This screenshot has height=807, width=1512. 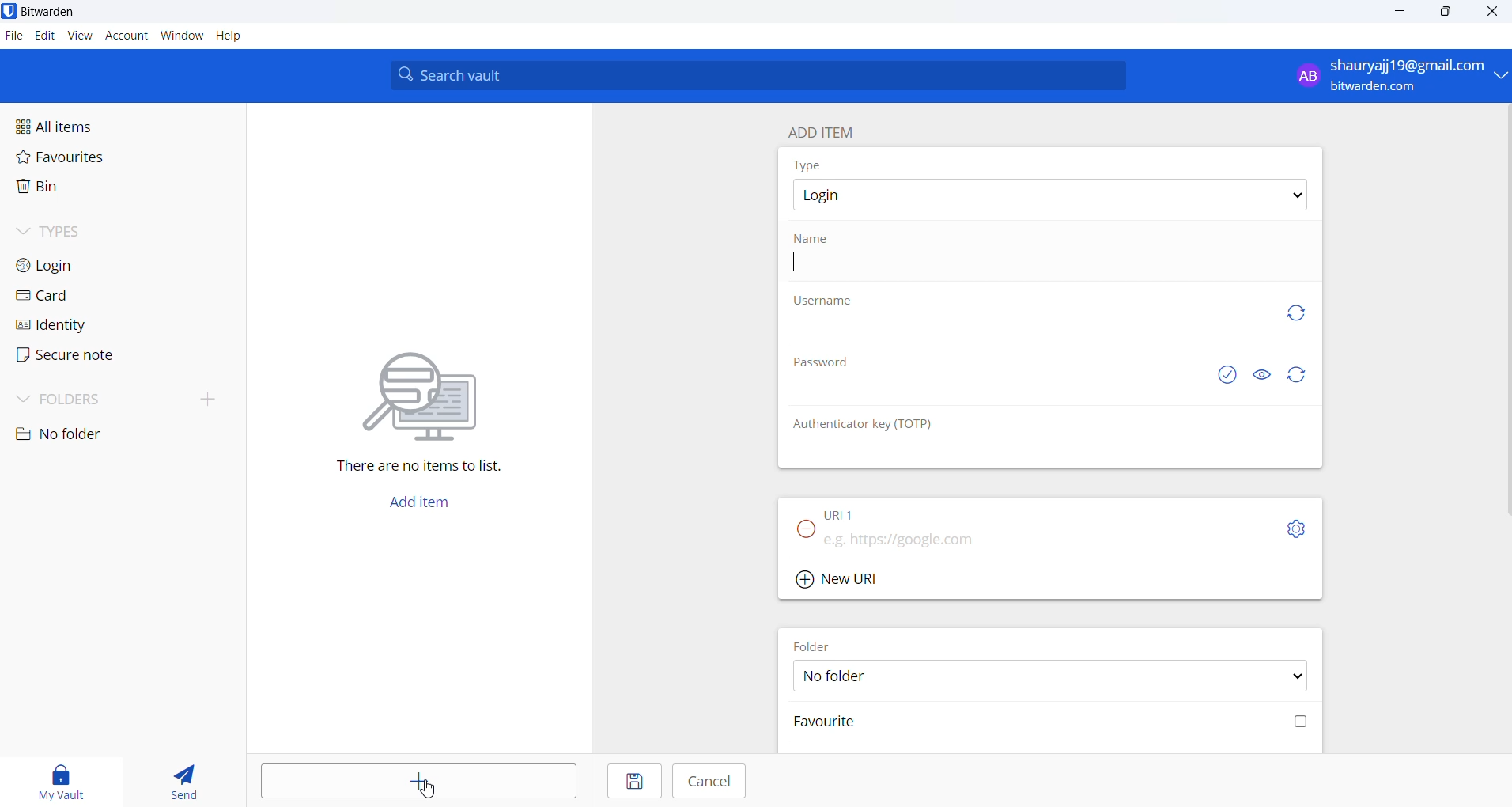 What do you see at coordinates (1021, 335) in the screenshot?
I see `Username text box` at bounding box center [1021, 335].